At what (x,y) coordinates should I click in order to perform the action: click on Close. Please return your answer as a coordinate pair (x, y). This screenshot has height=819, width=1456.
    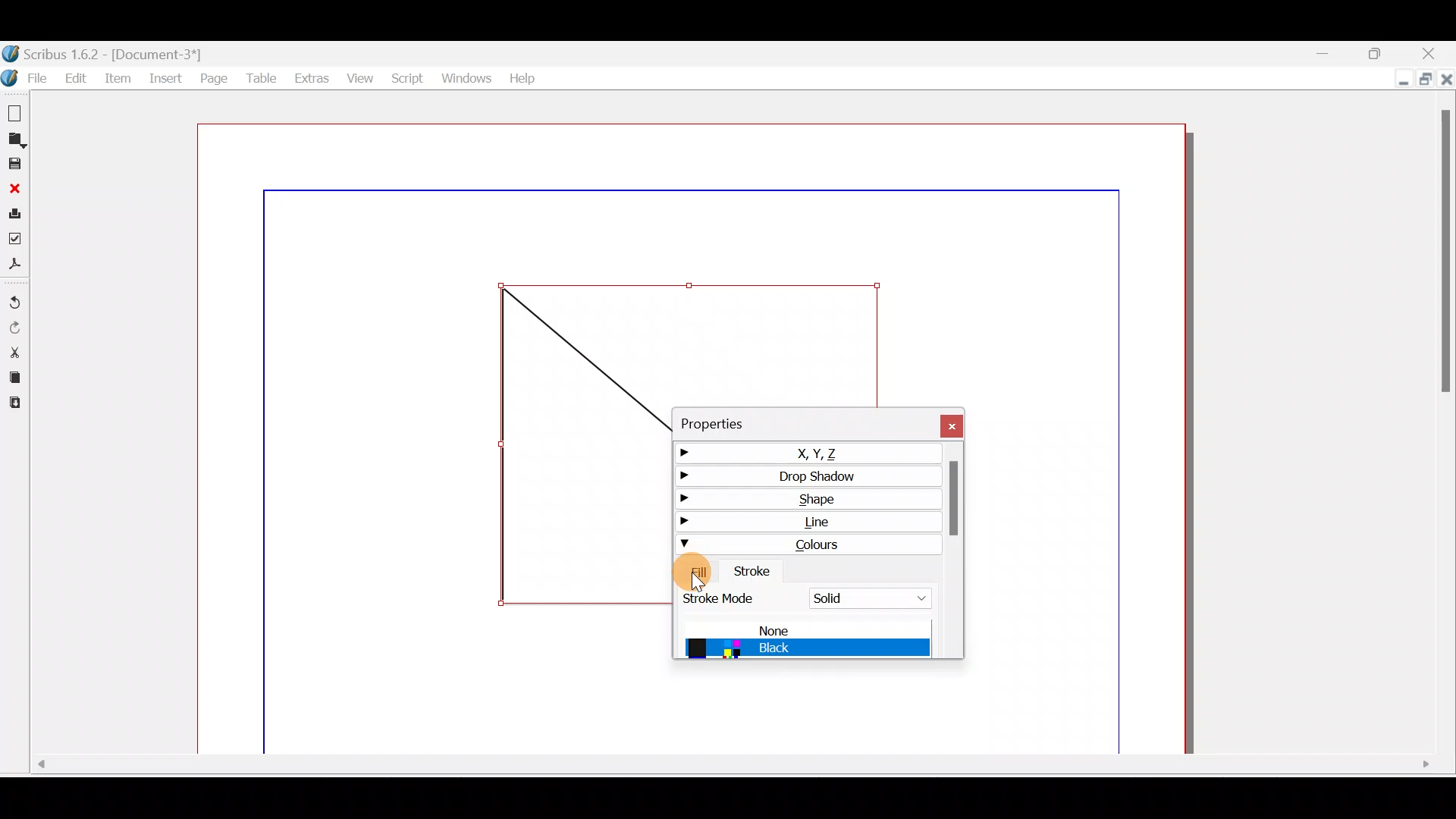
    Looking at the image, I should click on (943, 422).